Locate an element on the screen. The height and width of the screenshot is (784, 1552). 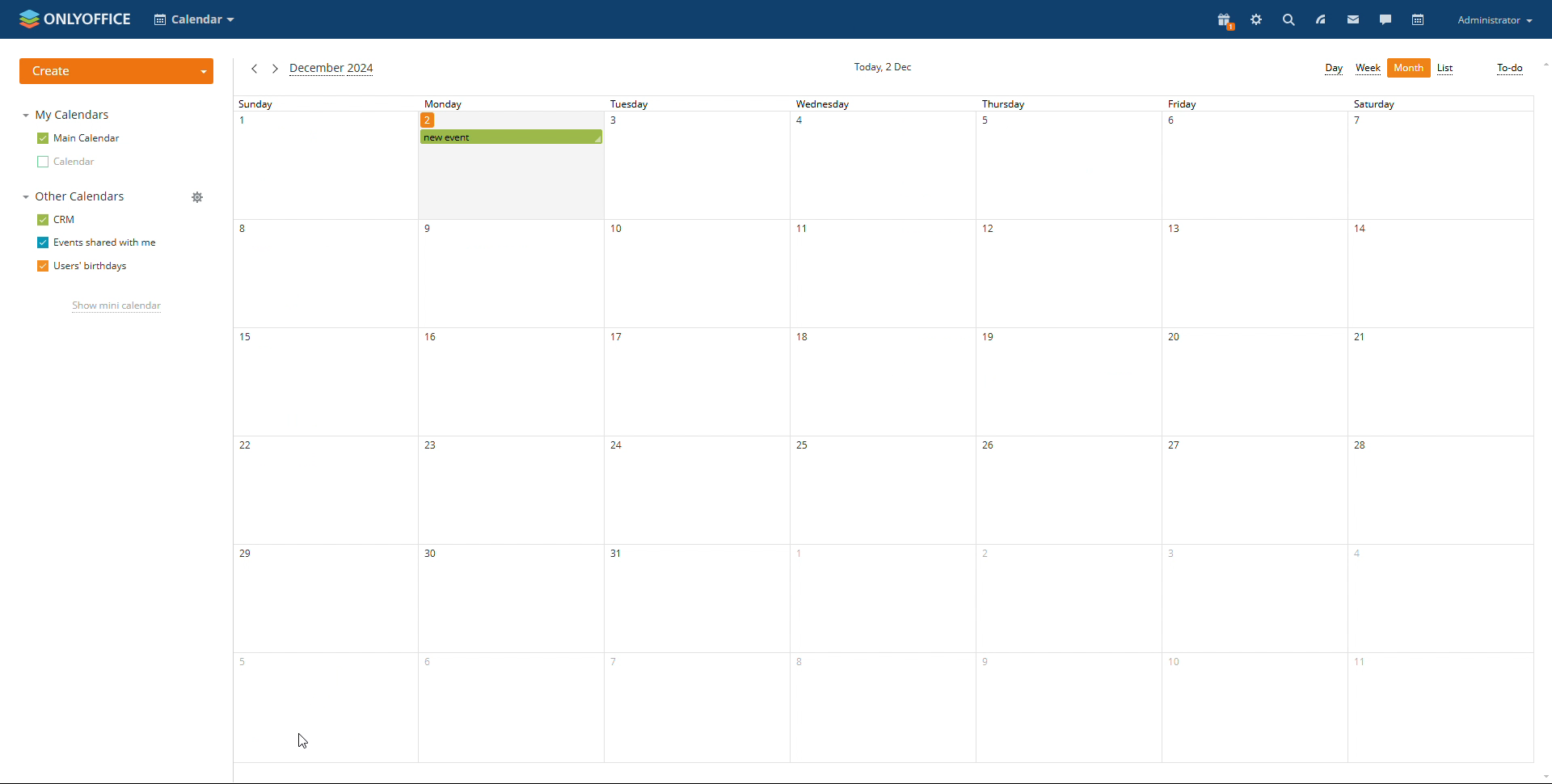
previous month is located at coordinates (254, 69).